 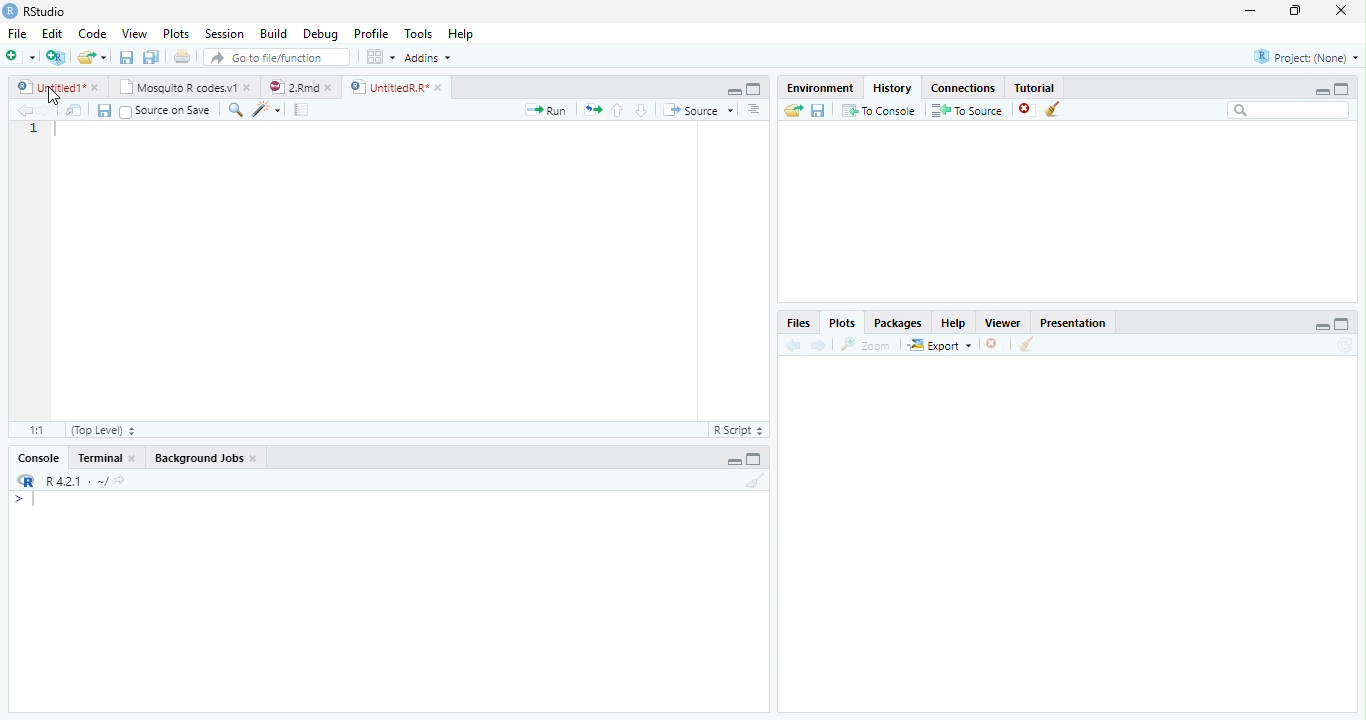 What do you see at coordinates (166, 110) in the screenshot?
I see `Source on save` at bounding box center [166, 110].